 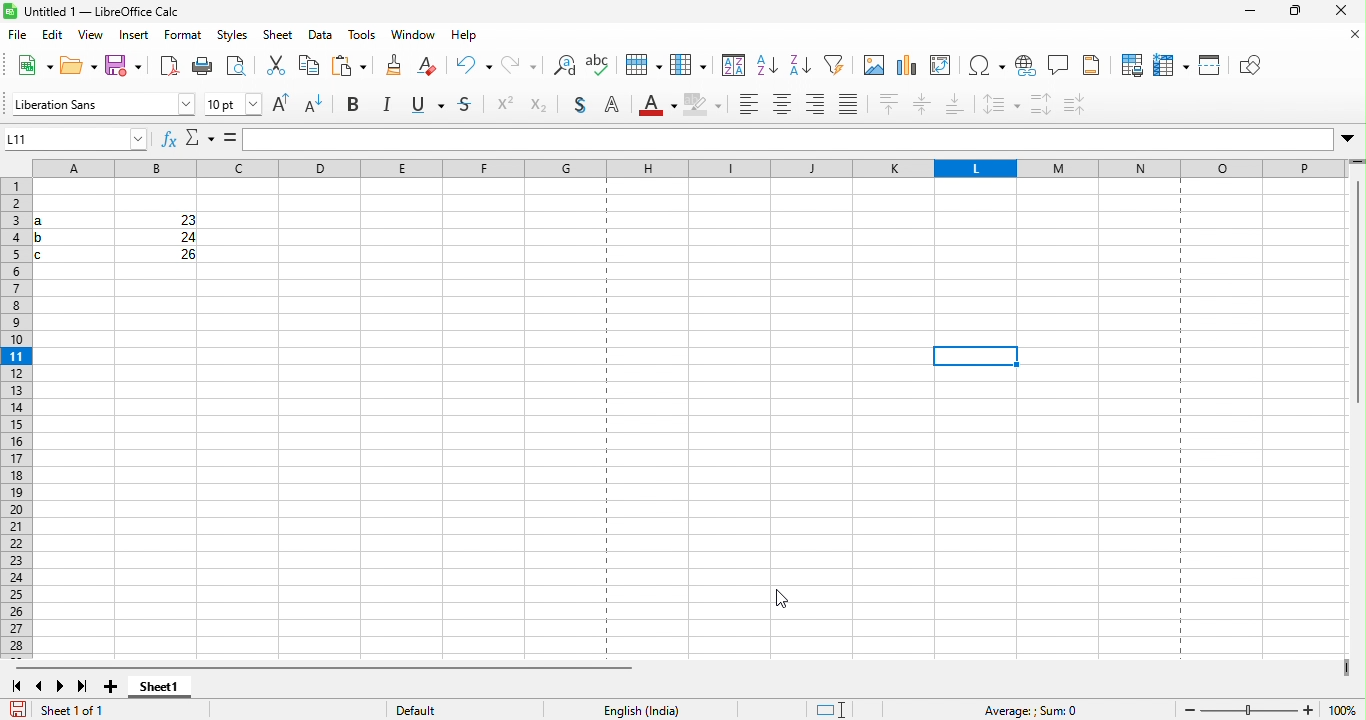 What do you see at coordinates (854, 106) in the screenshot?
I see `justified` at bounding box center [854, 106].